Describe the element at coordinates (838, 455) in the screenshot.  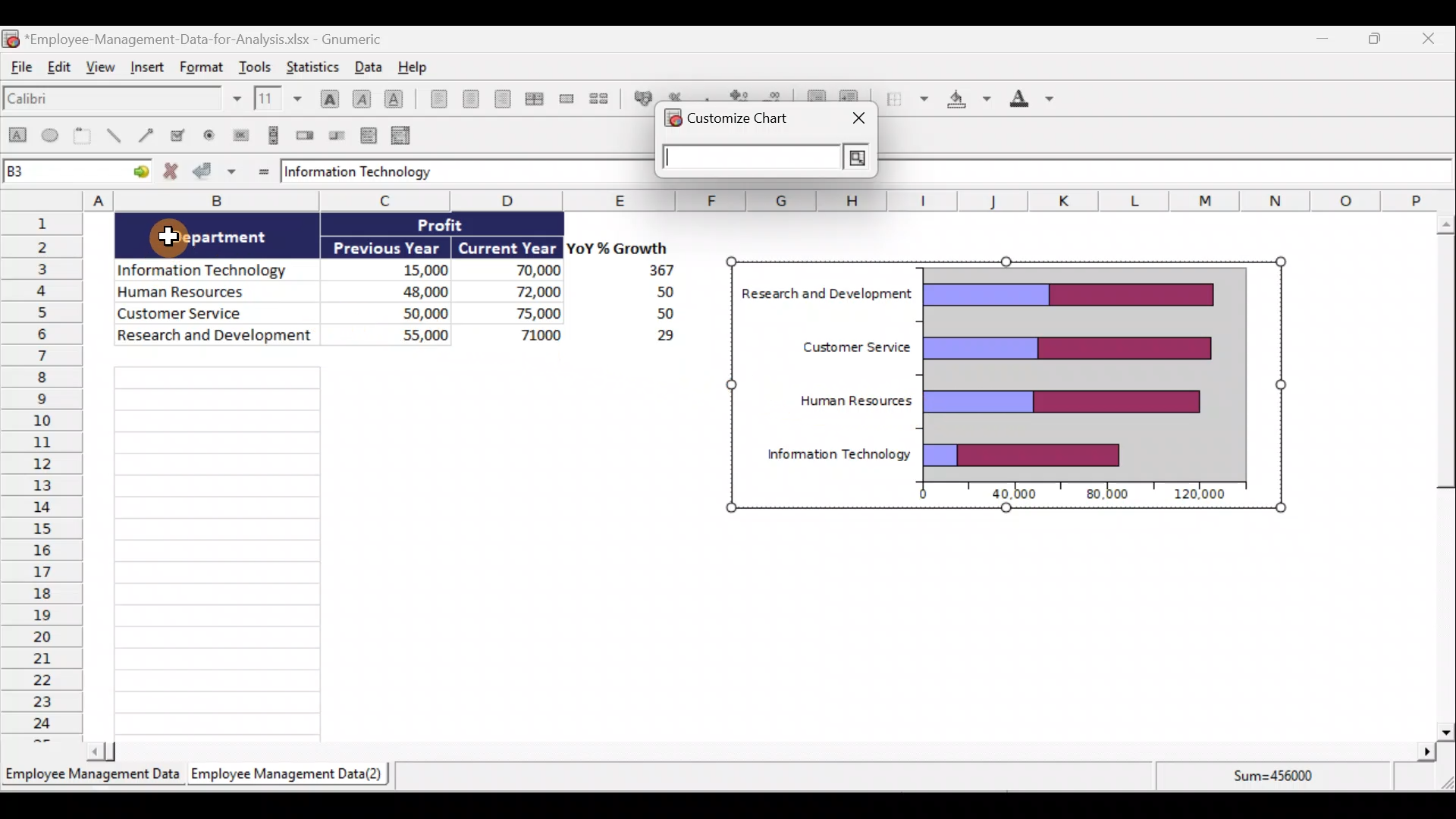
I see `Information Technology` at that location.